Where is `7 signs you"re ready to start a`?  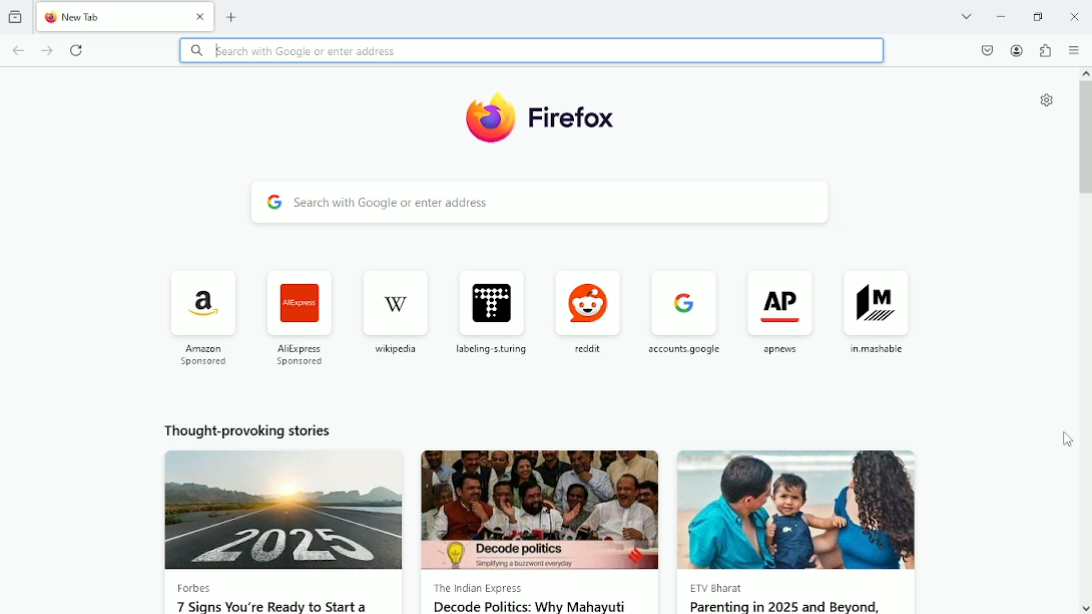 7 signs you"re ready to start a is located at coordinates (272, 606).